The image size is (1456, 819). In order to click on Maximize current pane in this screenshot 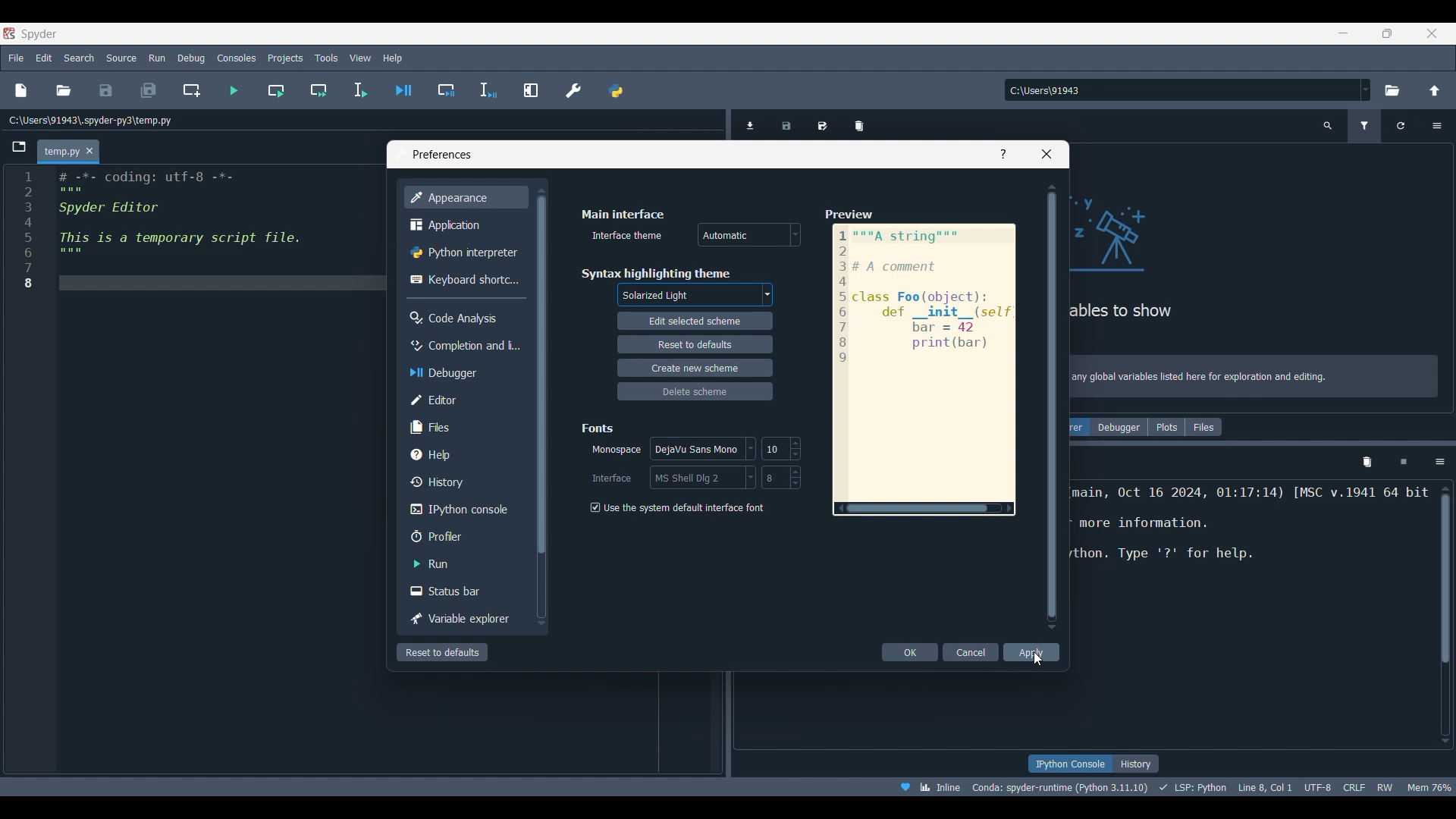, I will do `click(531, 90)`.